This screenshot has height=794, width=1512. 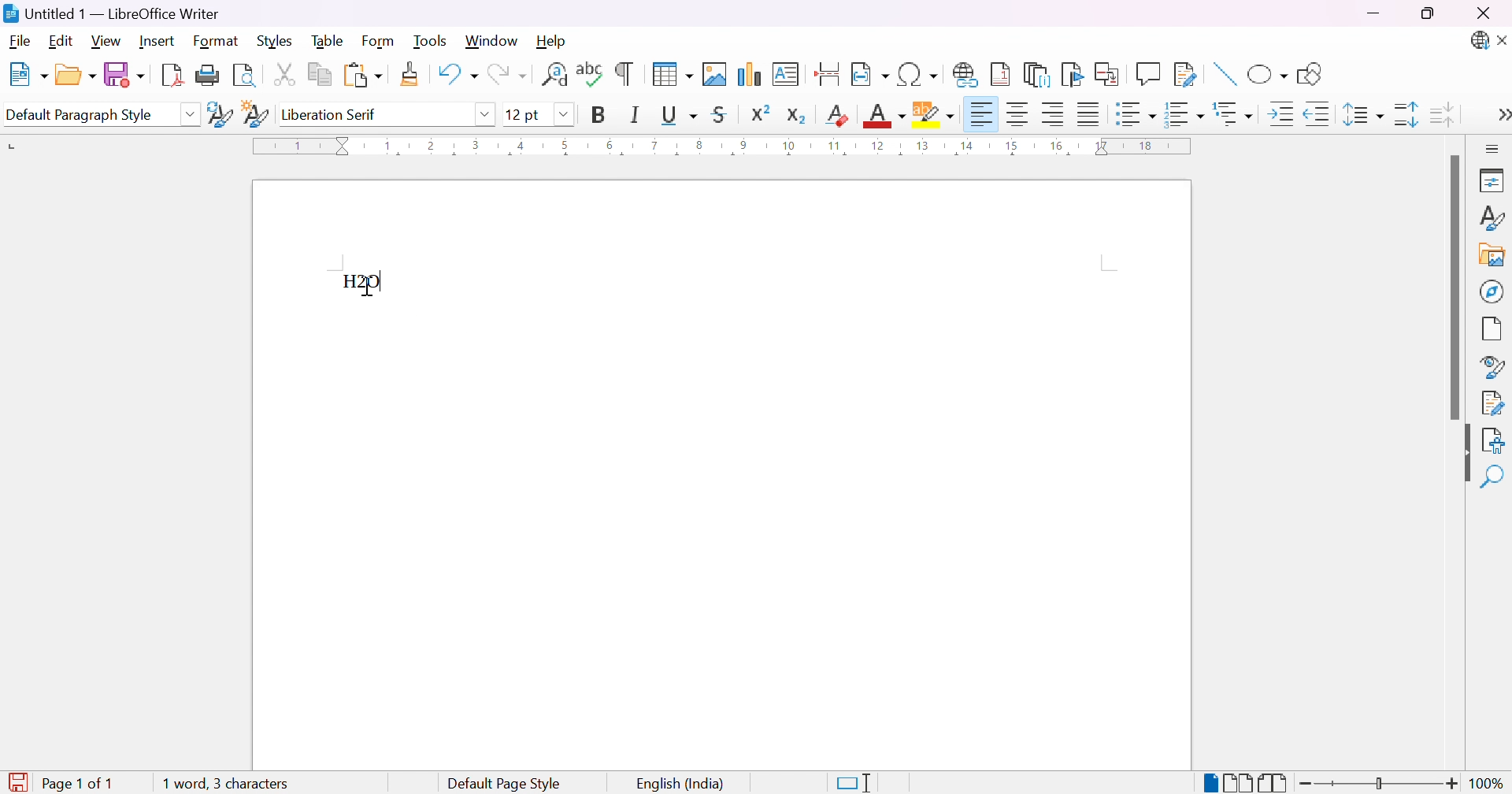 I want to click on Copy, so click(x=321, y=75).